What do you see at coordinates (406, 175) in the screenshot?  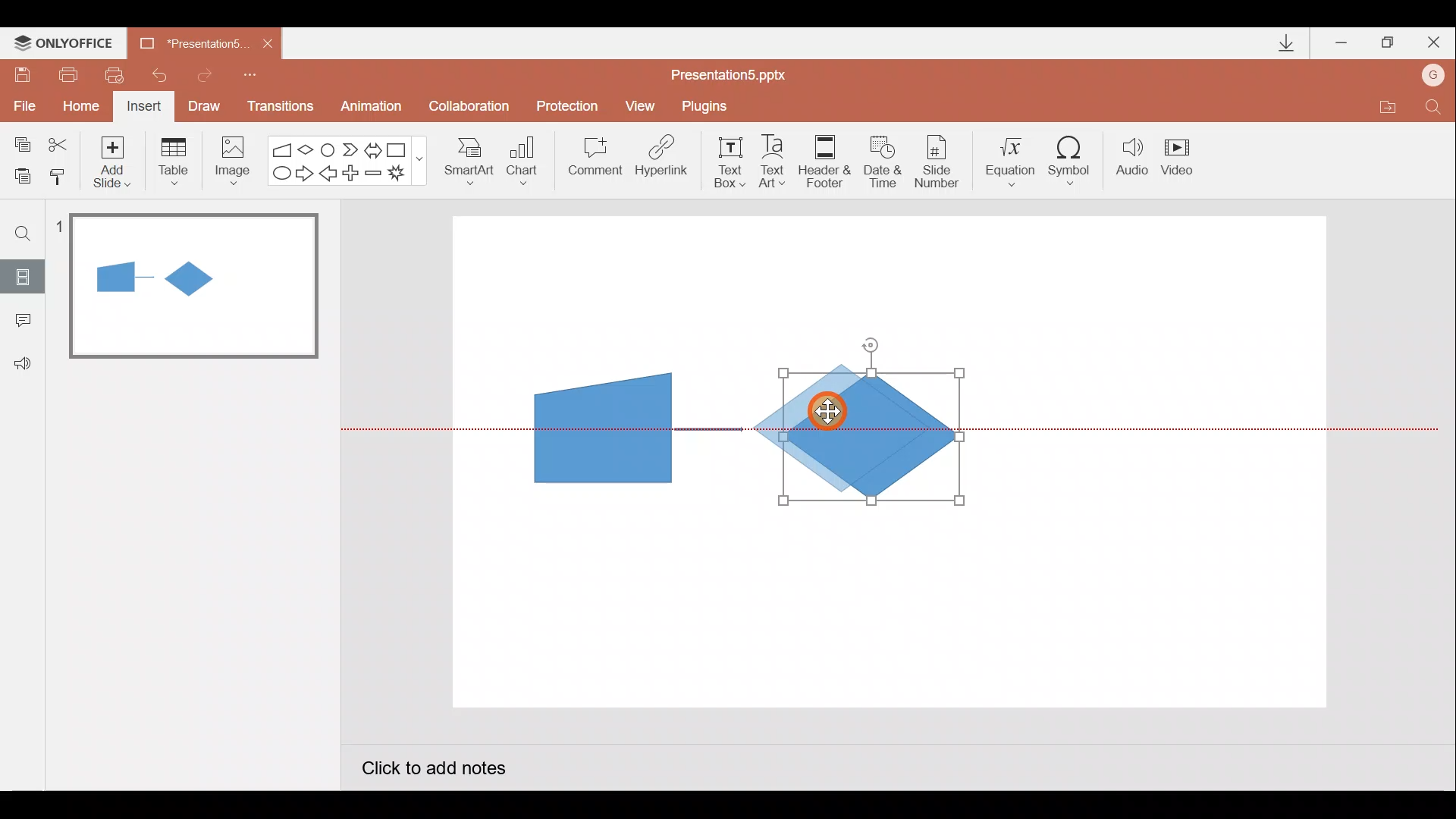 I see `Explosion 1` at bounding box center [406, 175].